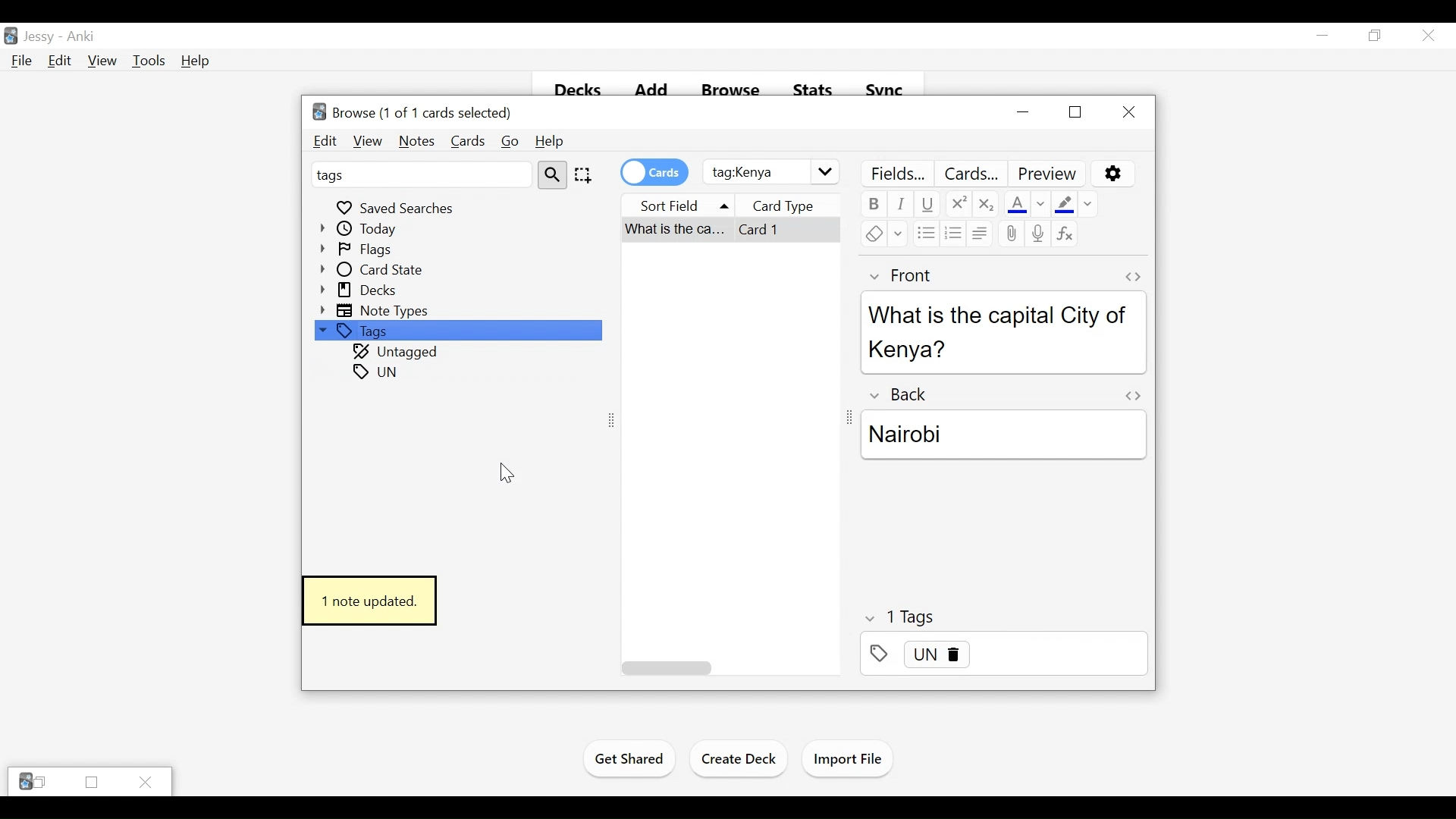 The image size is (1456, 819). Describe the element at coordinates (873, 205) in the screenshot. I see `Bold ` at that location.